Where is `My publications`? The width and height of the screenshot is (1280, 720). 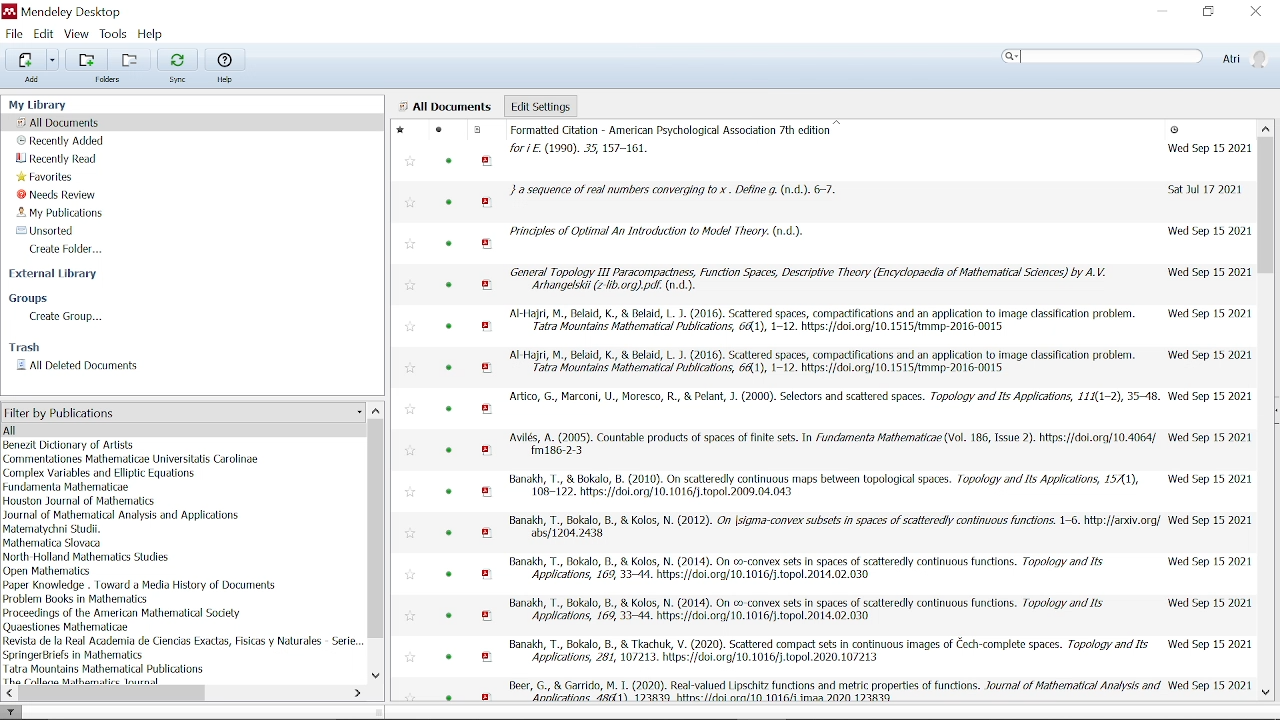 My publications is located at coordinates (62, 213).